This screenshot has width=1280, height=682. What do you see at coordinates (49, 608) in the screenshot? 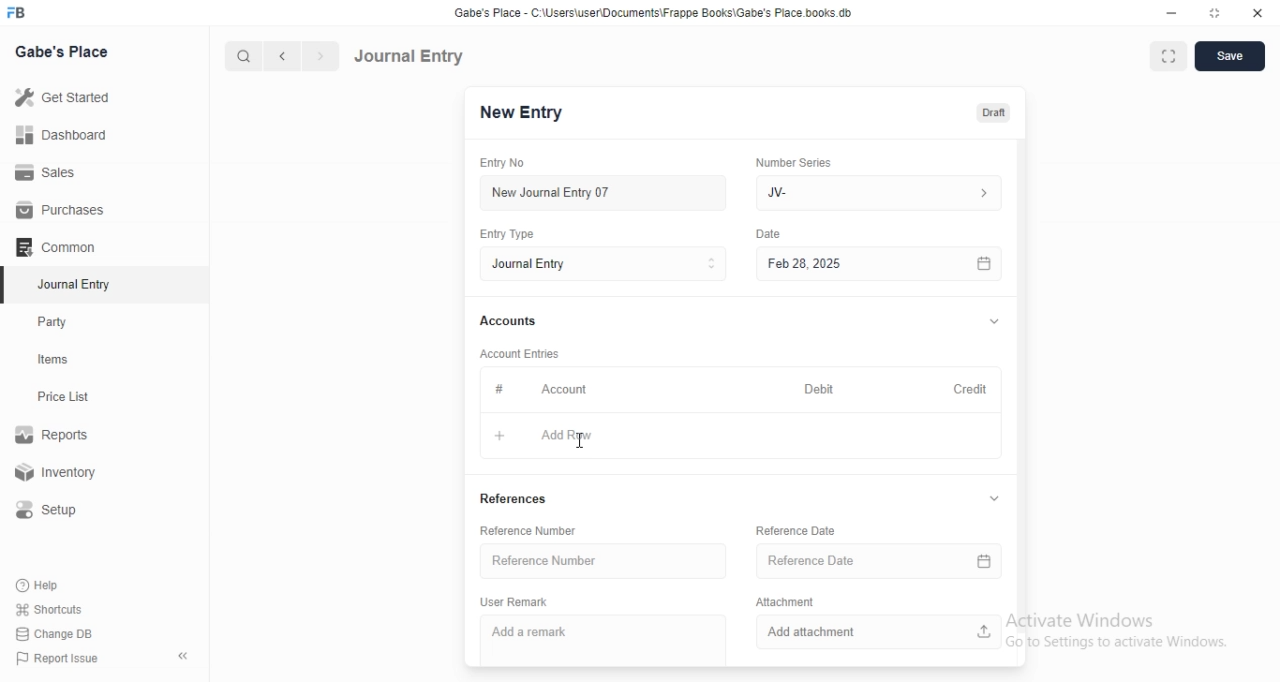
I see `Shortcuts` at bounding box center [49, 608].